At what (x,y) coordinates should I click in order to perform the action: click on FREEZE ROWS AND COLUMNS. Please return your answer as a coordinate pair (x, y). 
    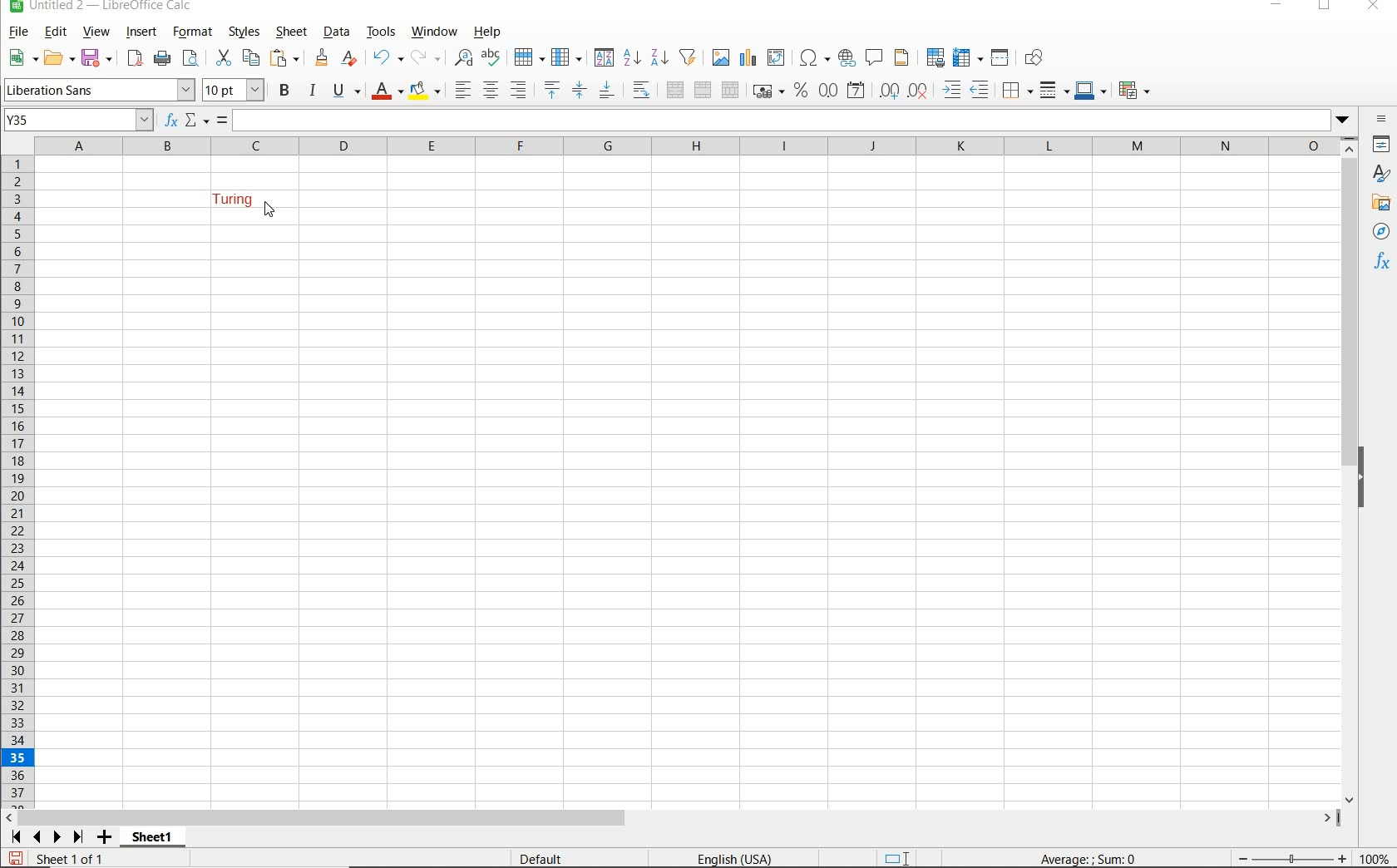
    Looking at the image, I should click on (967, 60).